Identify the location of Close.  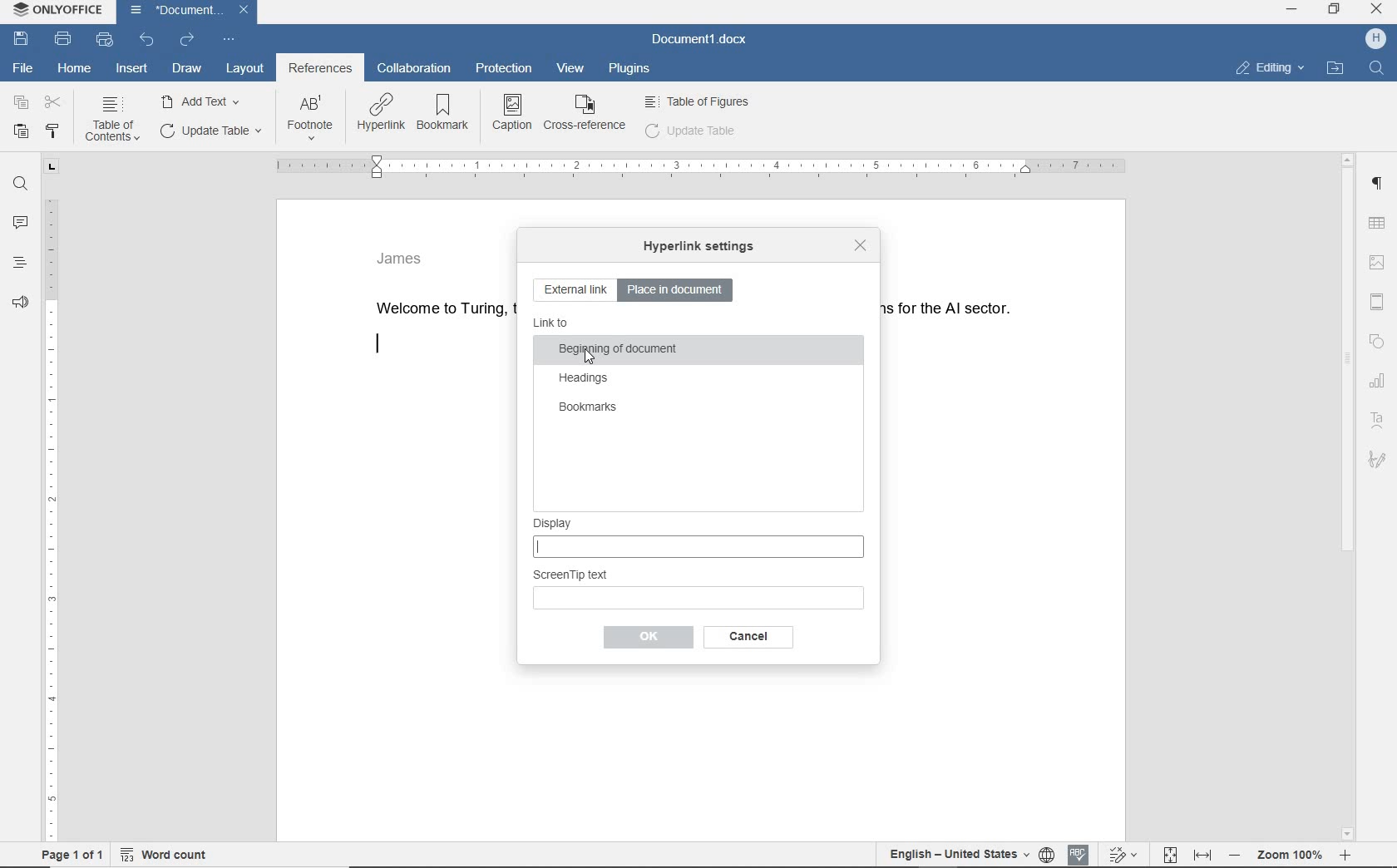
(244, 12).